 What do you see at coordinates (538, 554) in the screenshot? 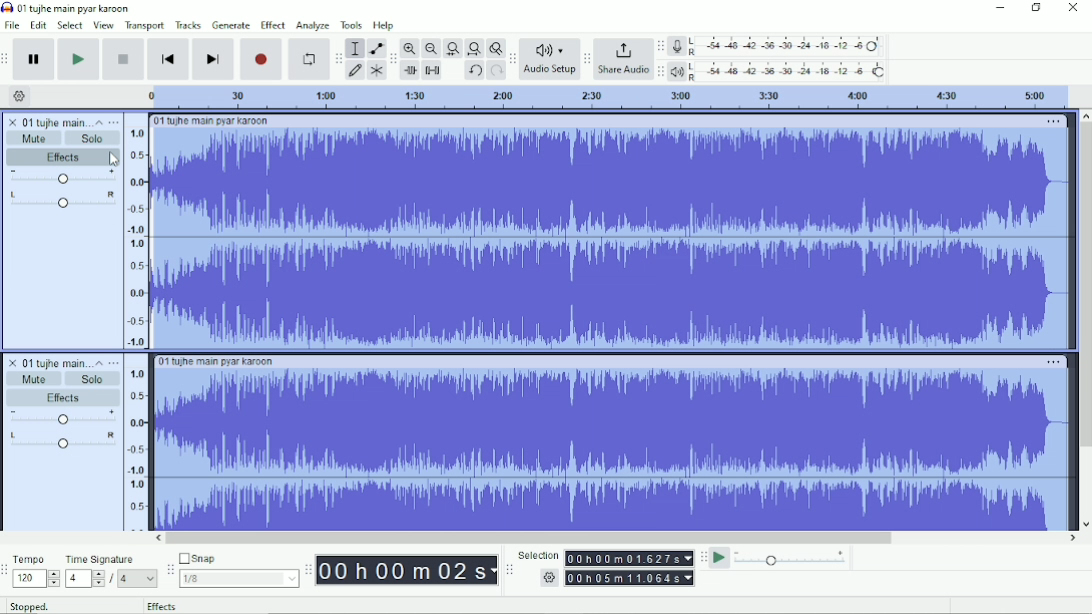
I see `Selection` at bounding box center [538, 554].